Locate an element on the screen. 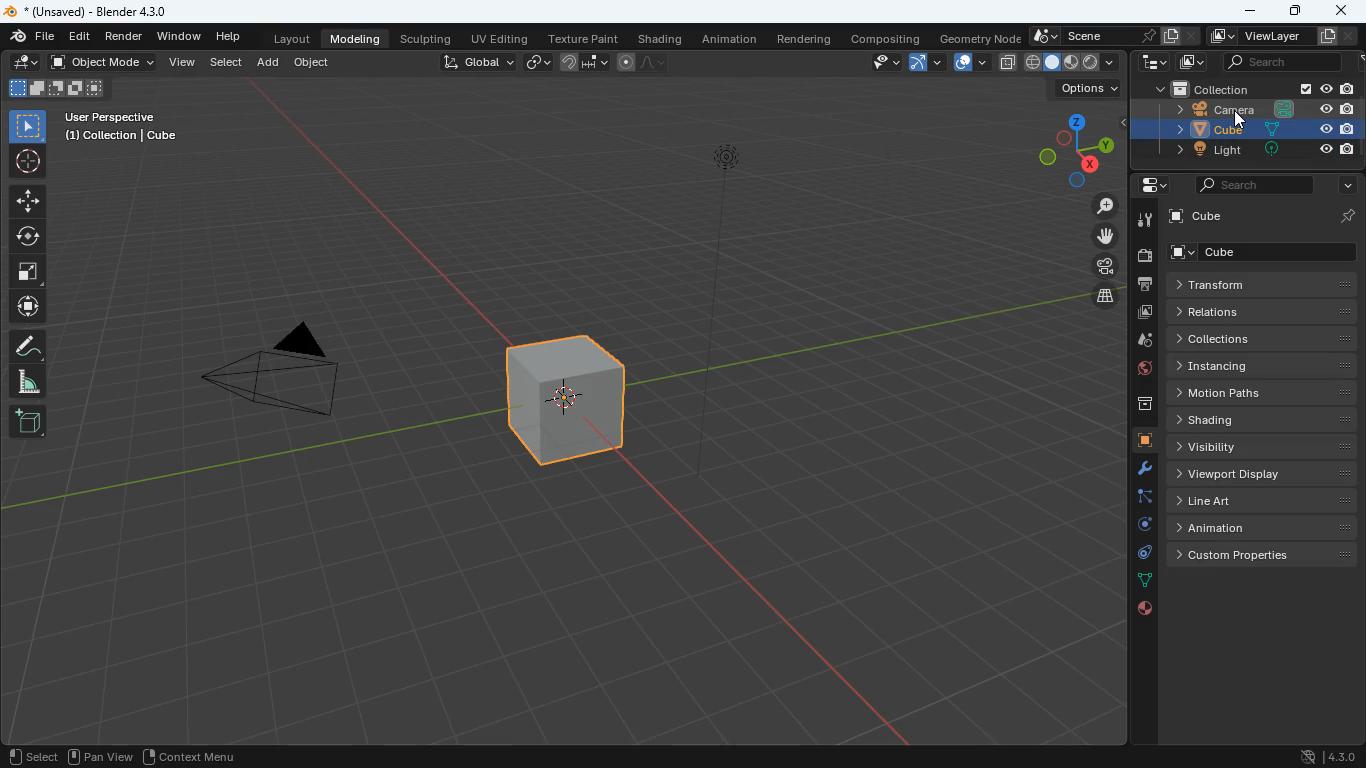  maximize is located at coordinates (1293, 10).